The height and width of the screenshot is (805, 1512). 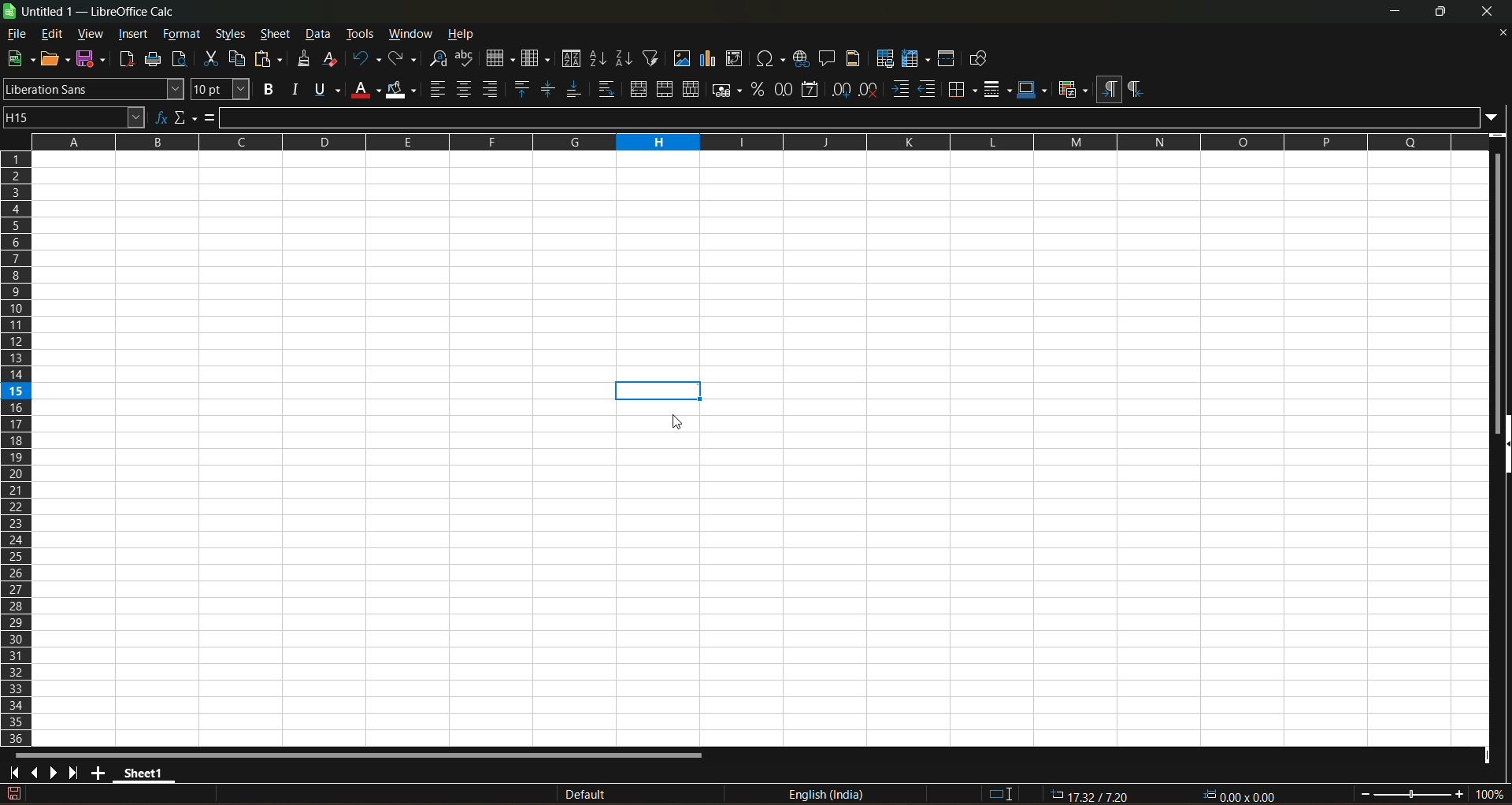 What do you see at coordinates (465, 58) in the screenshot?
I see `spelling` at bounding box center [465, 58].